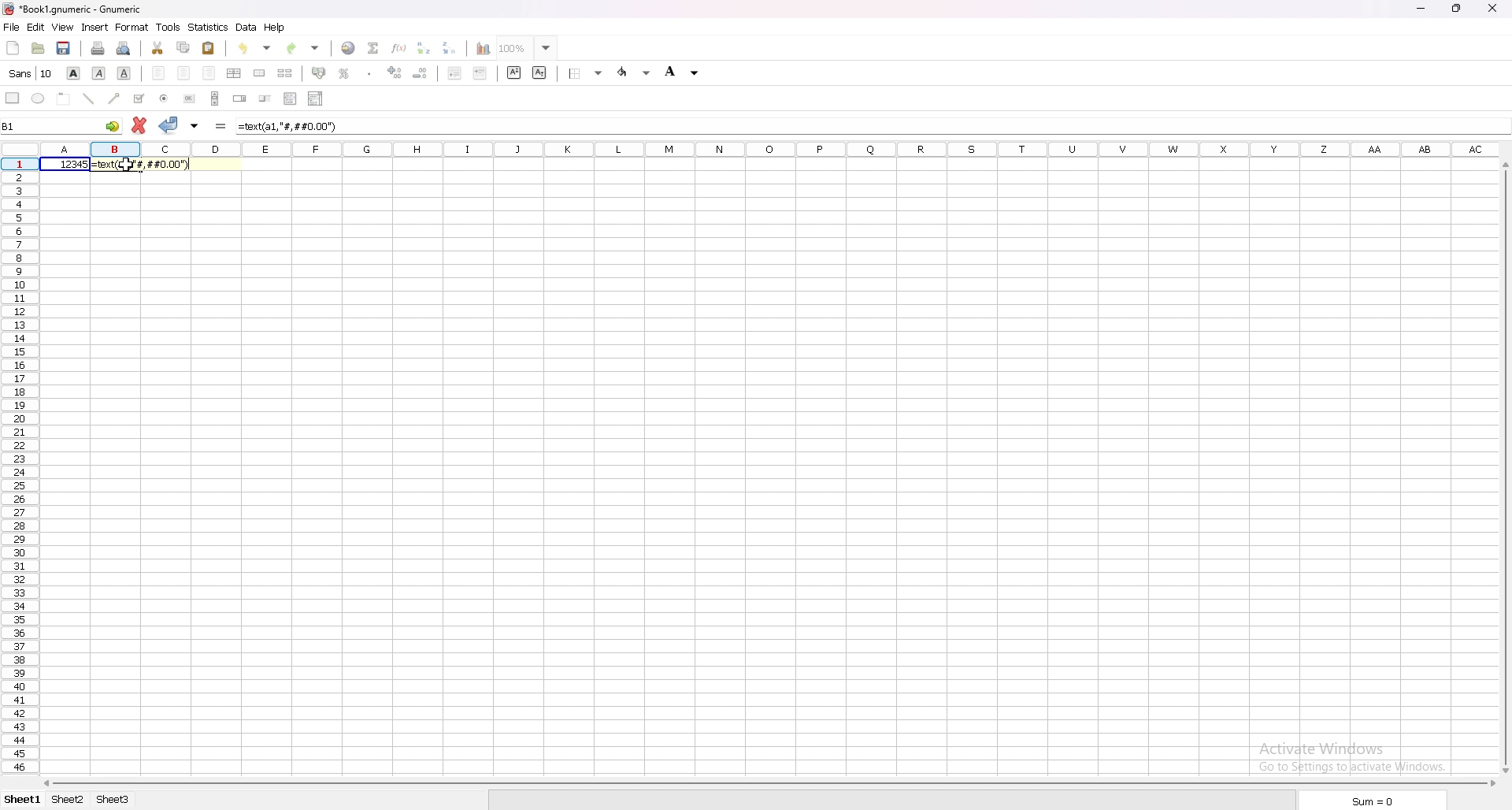 This screenshot has height=810, width=1512. I want to click on close, so click(1493, 9).